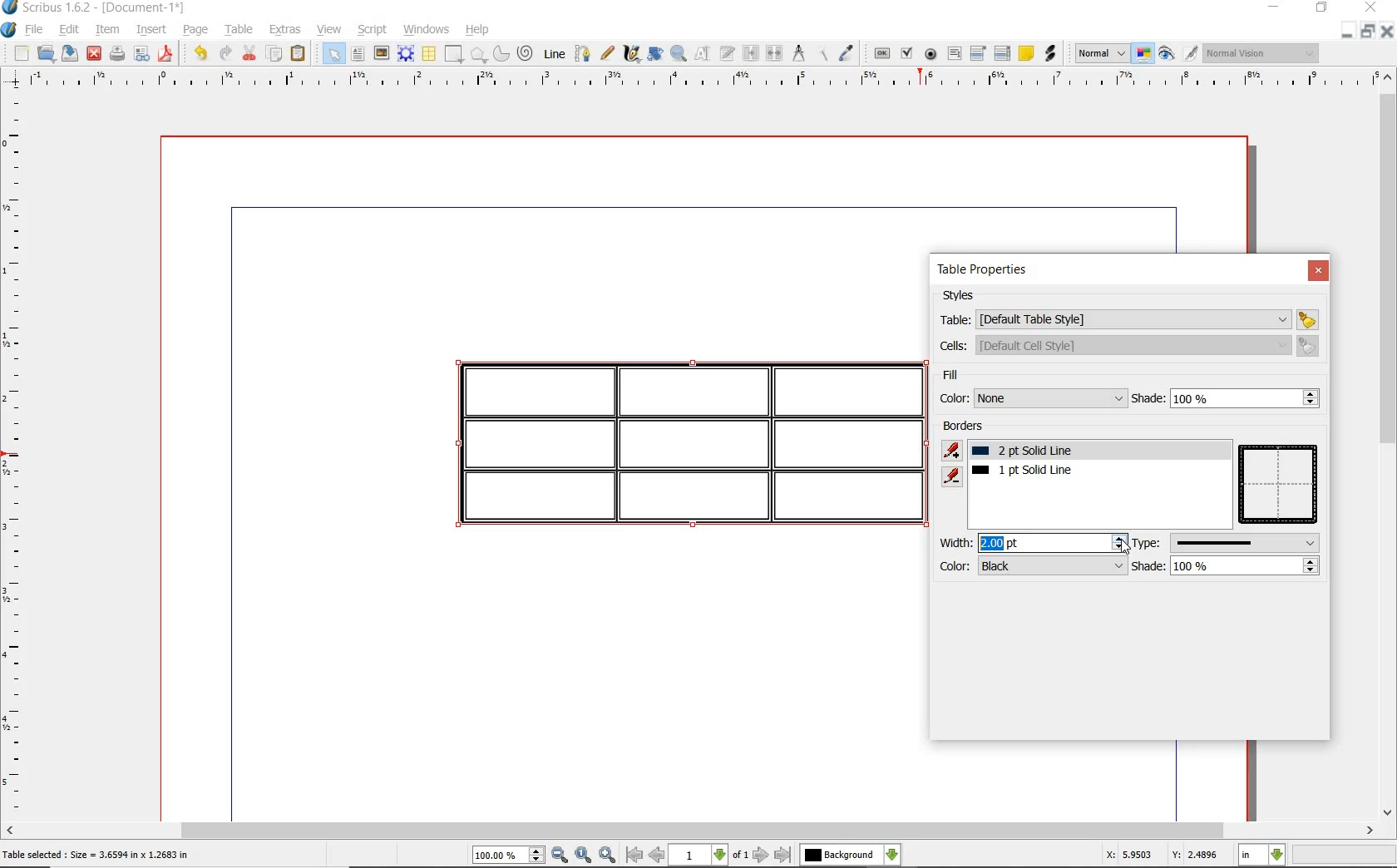  Describe the element at coordinates (608, 855) in the screenshot. I see `zoom in` at that location.